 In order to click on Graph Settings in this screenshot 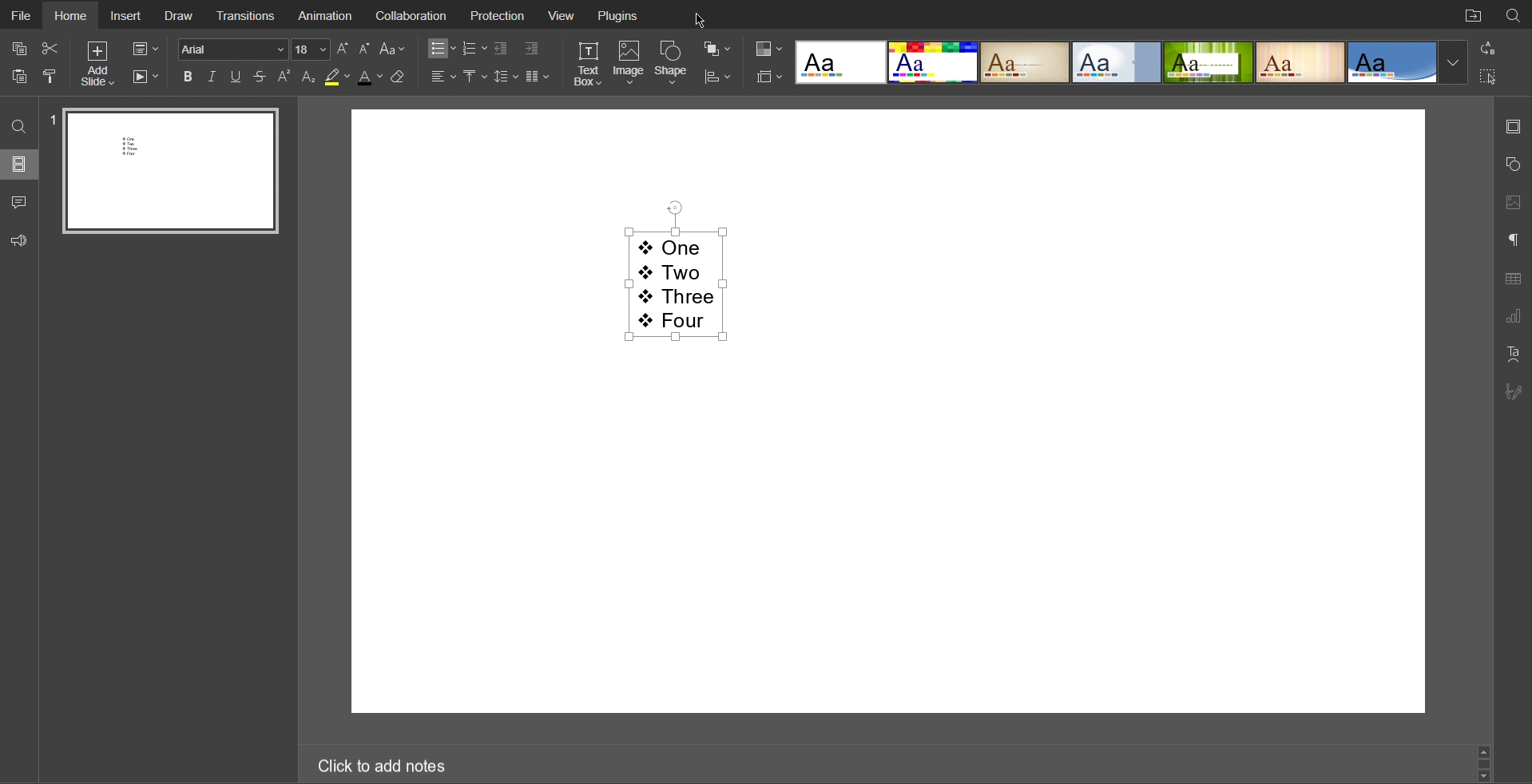, I will do `click(1511, 315)`.